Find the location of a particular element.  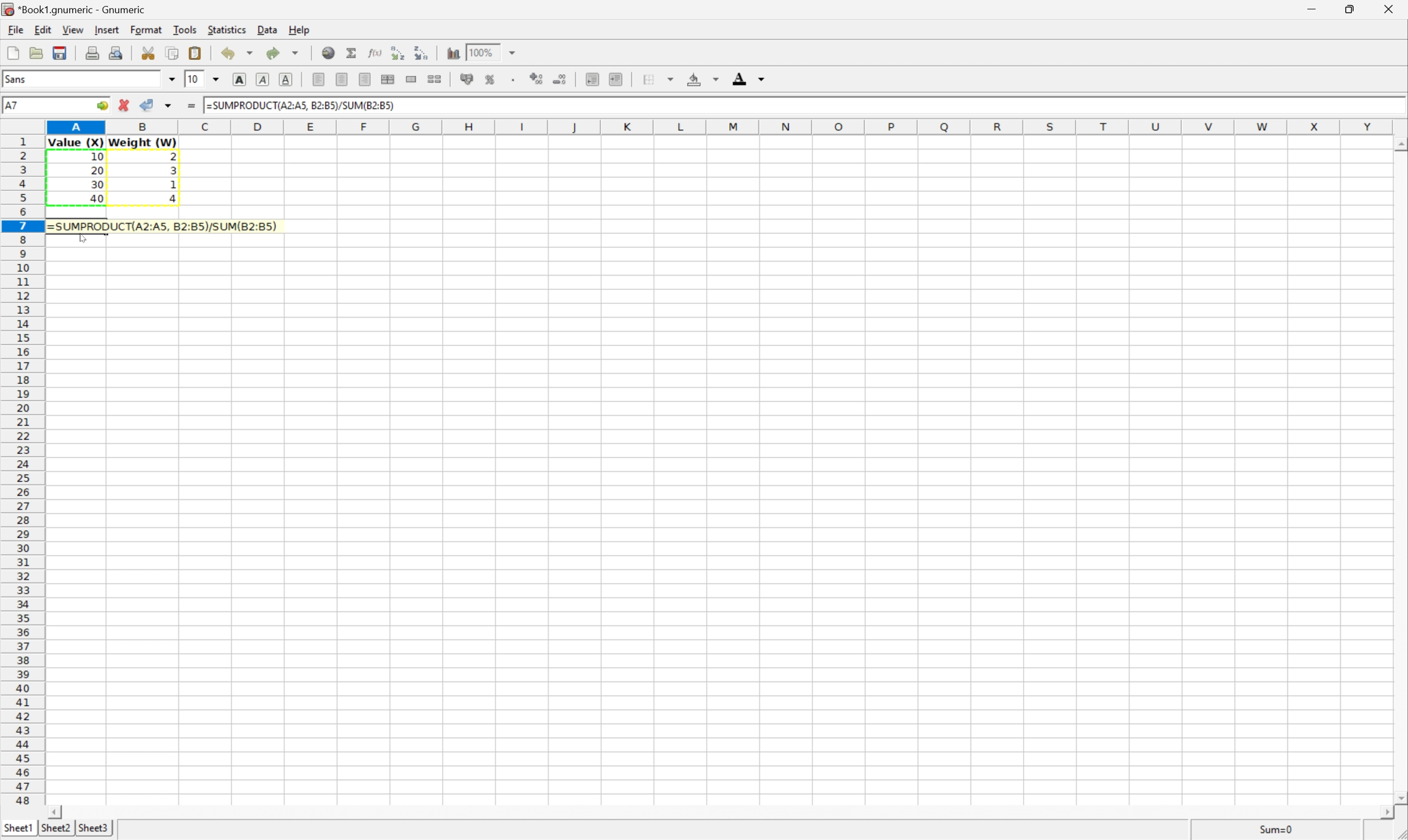

Split merged ranges of cells is located at coordinates (436, 80).